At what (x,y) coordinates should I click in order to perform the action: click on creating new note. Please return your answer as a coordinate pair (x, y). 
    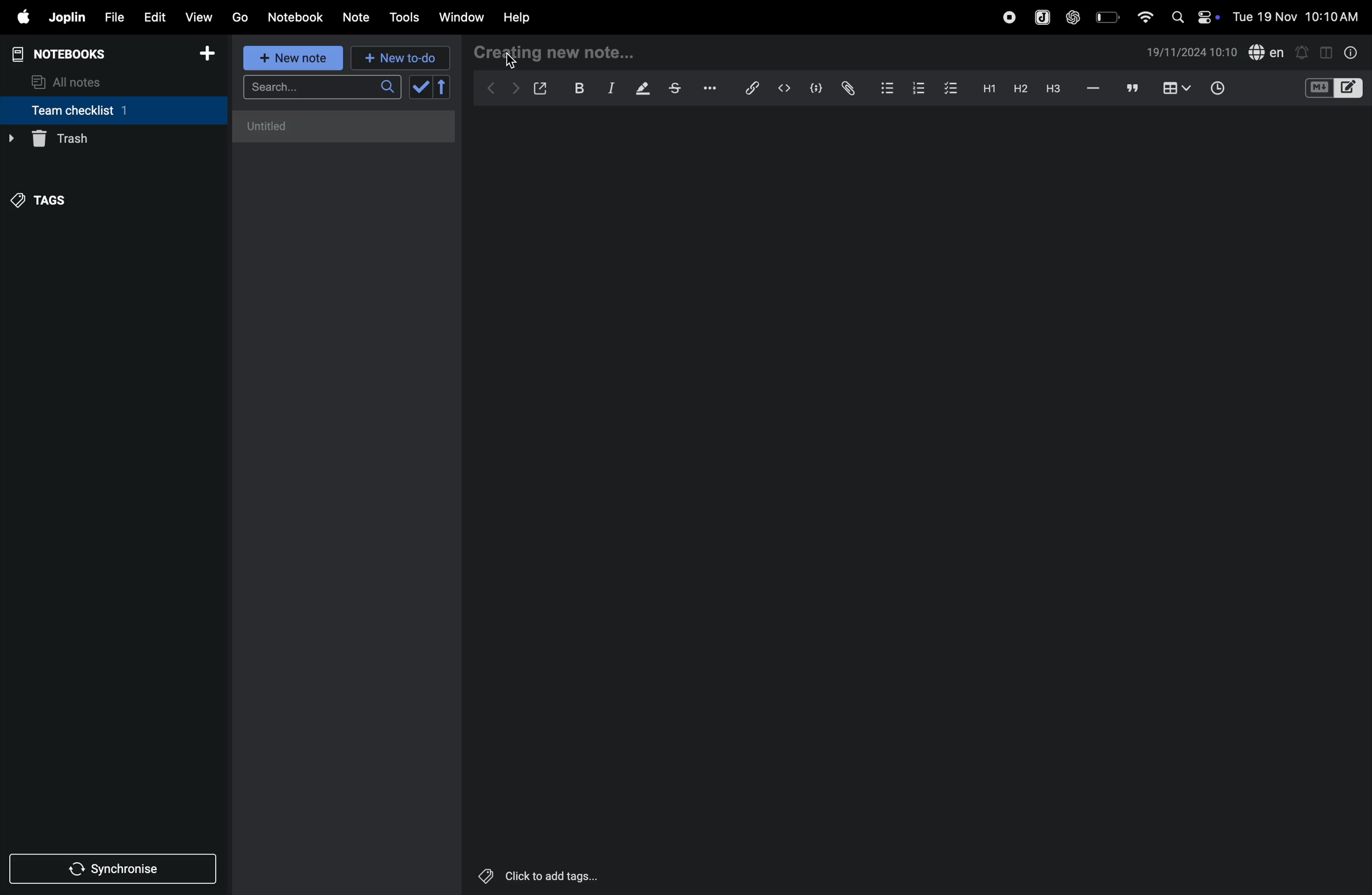
    Looking at the image, I should click on (577, 52).